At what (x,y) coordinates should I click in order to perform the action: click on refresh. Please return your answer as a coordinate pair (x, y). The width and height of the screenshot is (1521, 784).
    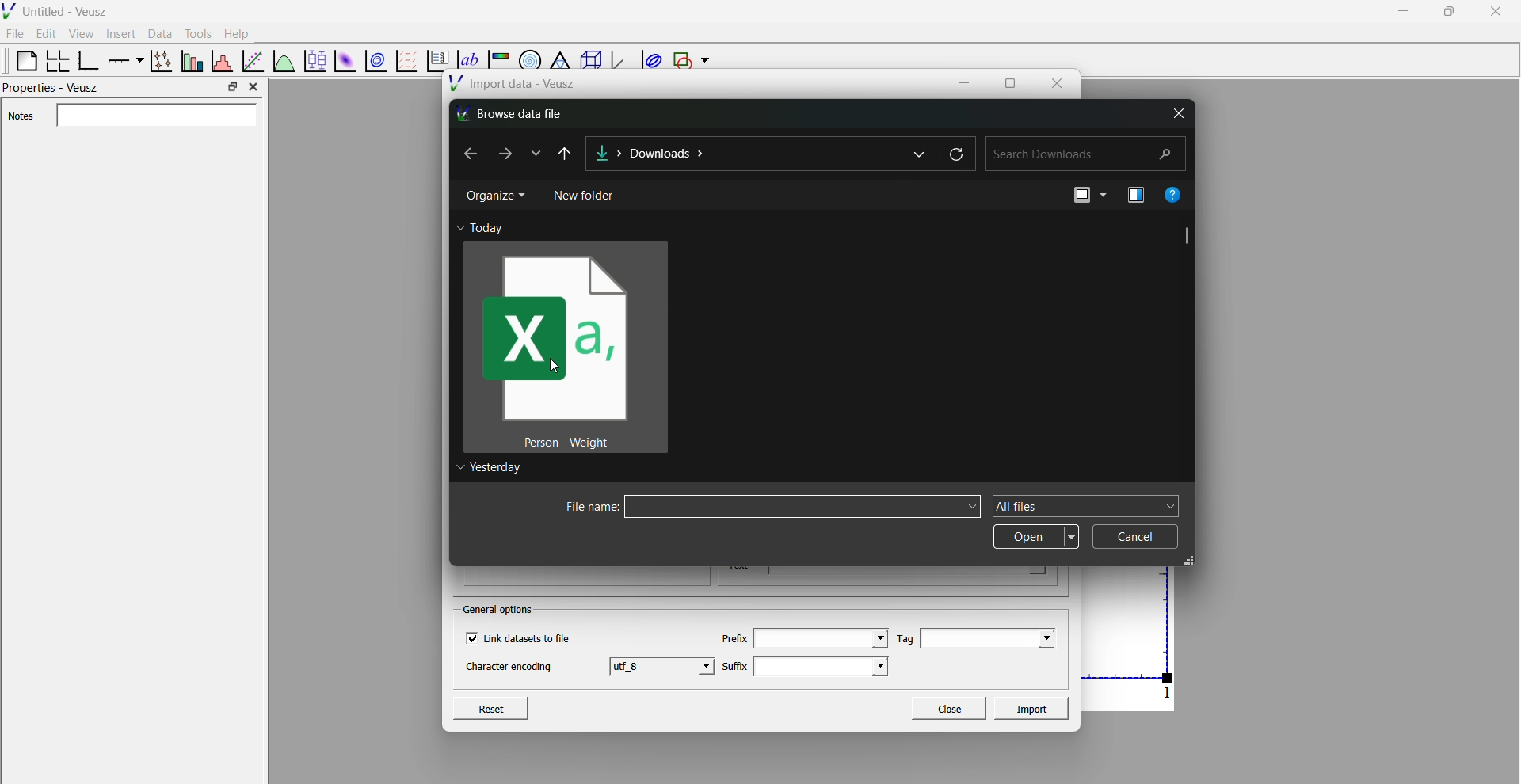
    Looking at the image, I should click on (955, 154).